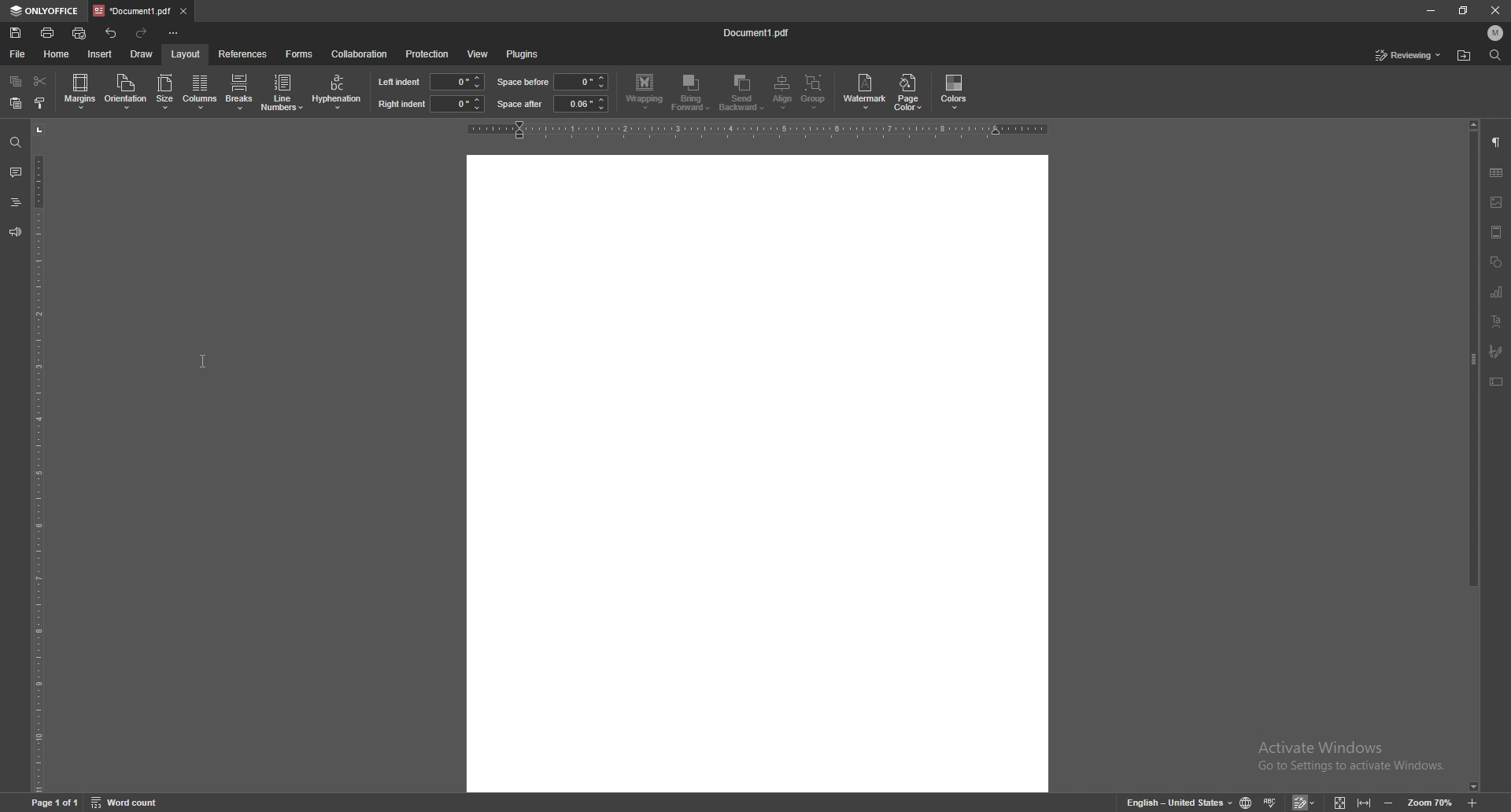 The height and width of the screenshot is (812, 1511). I want to click on resize, so click(1463, 11).